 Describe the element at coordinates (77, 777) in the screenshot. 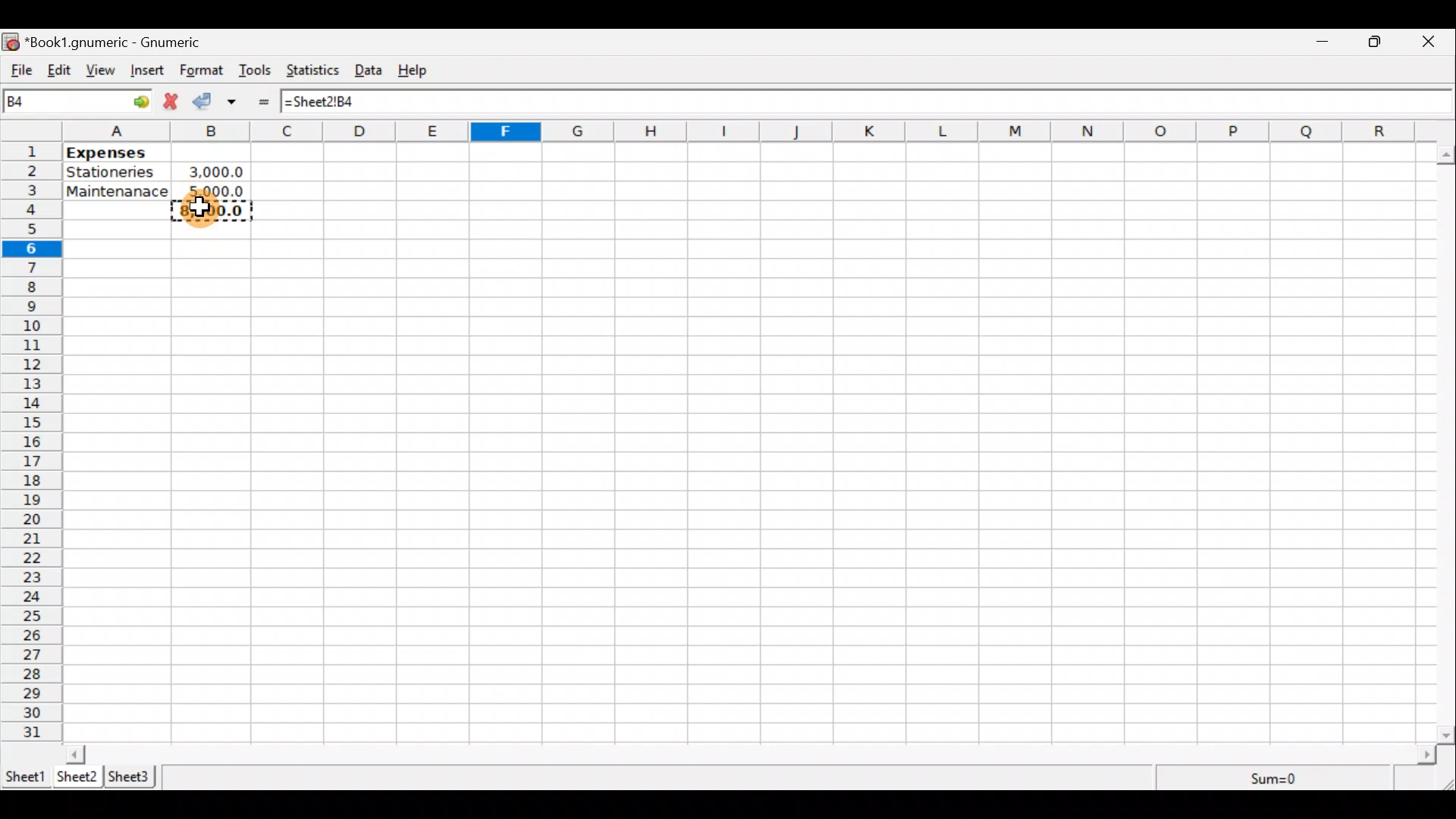

I see `Sheet 2` at that location.